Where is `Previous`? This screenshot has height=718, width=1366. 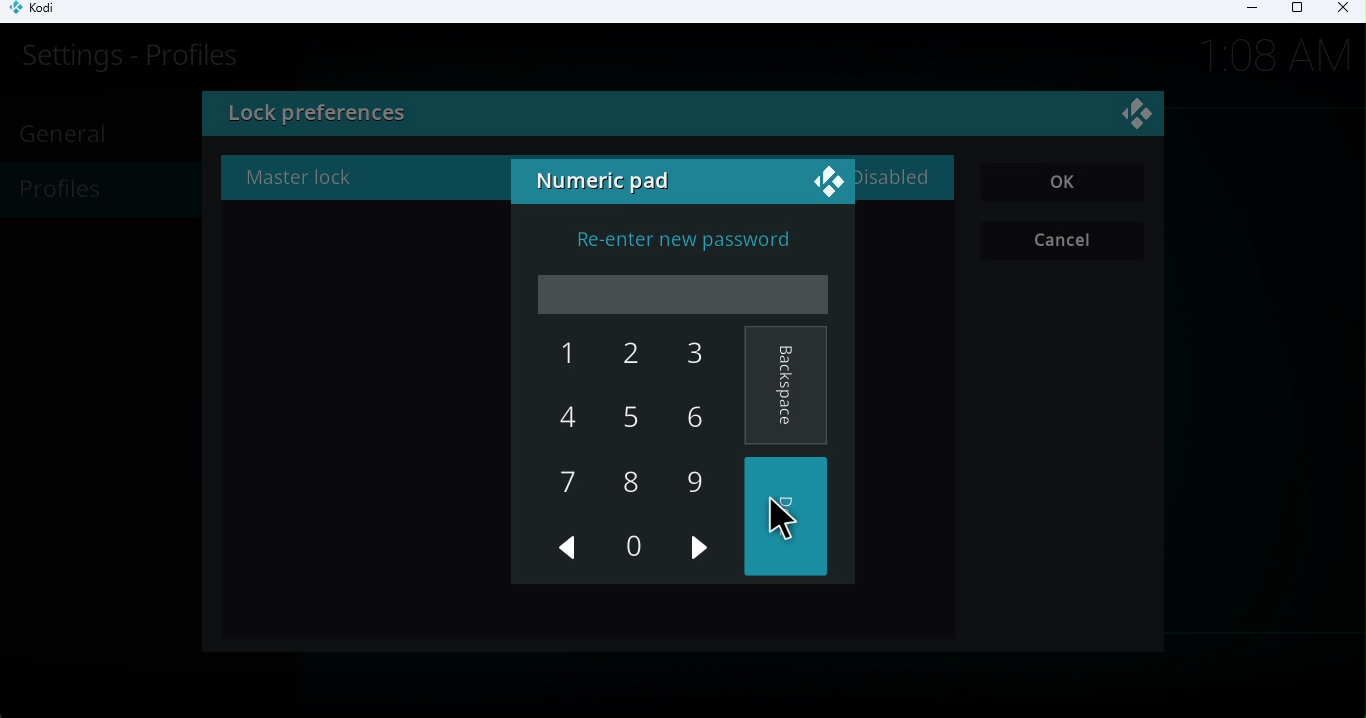 Previous is located at coordinates (569, 552).